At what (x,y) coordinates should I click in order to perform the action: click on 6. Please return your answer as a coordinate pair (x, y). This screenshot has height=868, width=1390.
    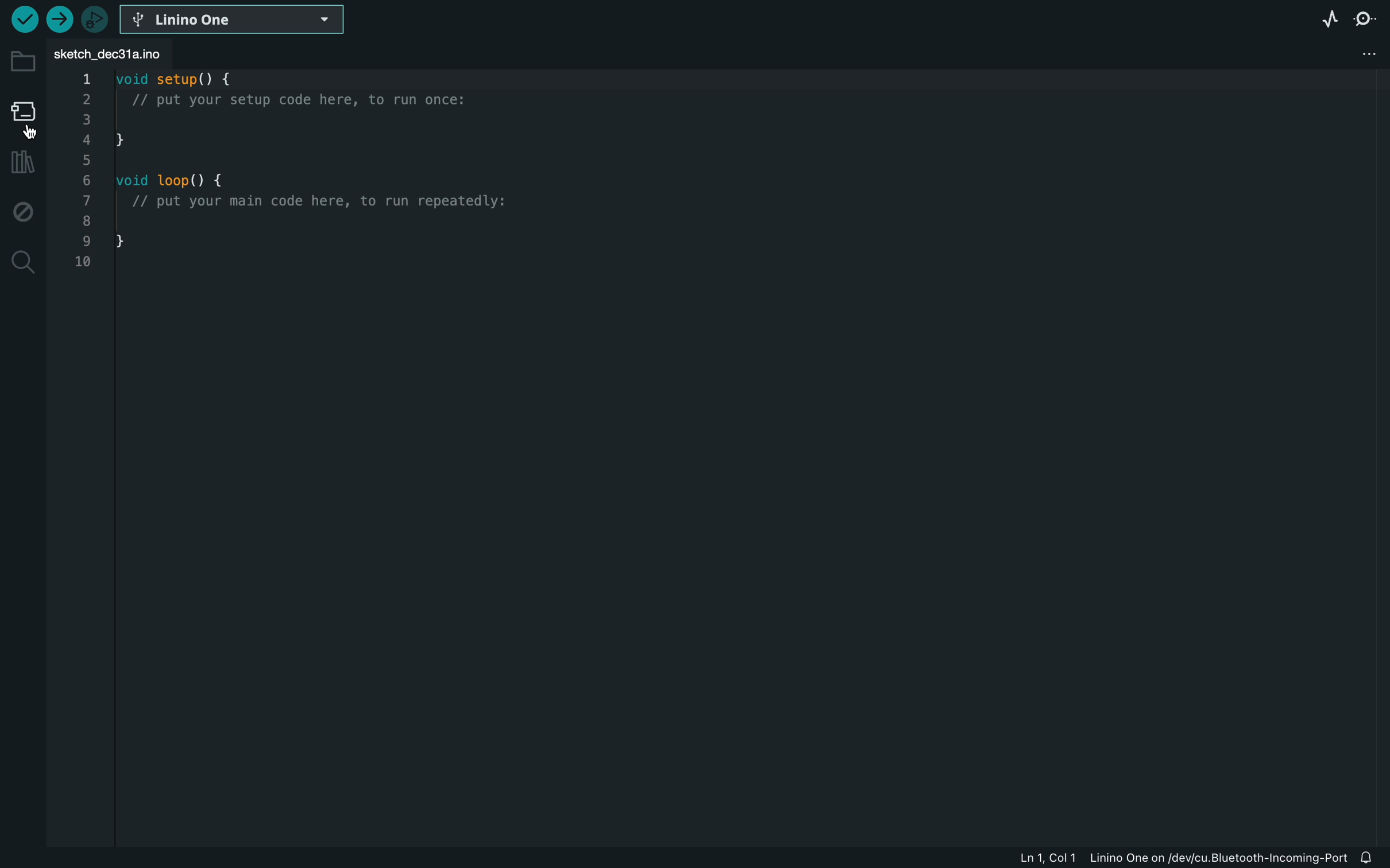
    Looking at the image, I should click on (85, 179).